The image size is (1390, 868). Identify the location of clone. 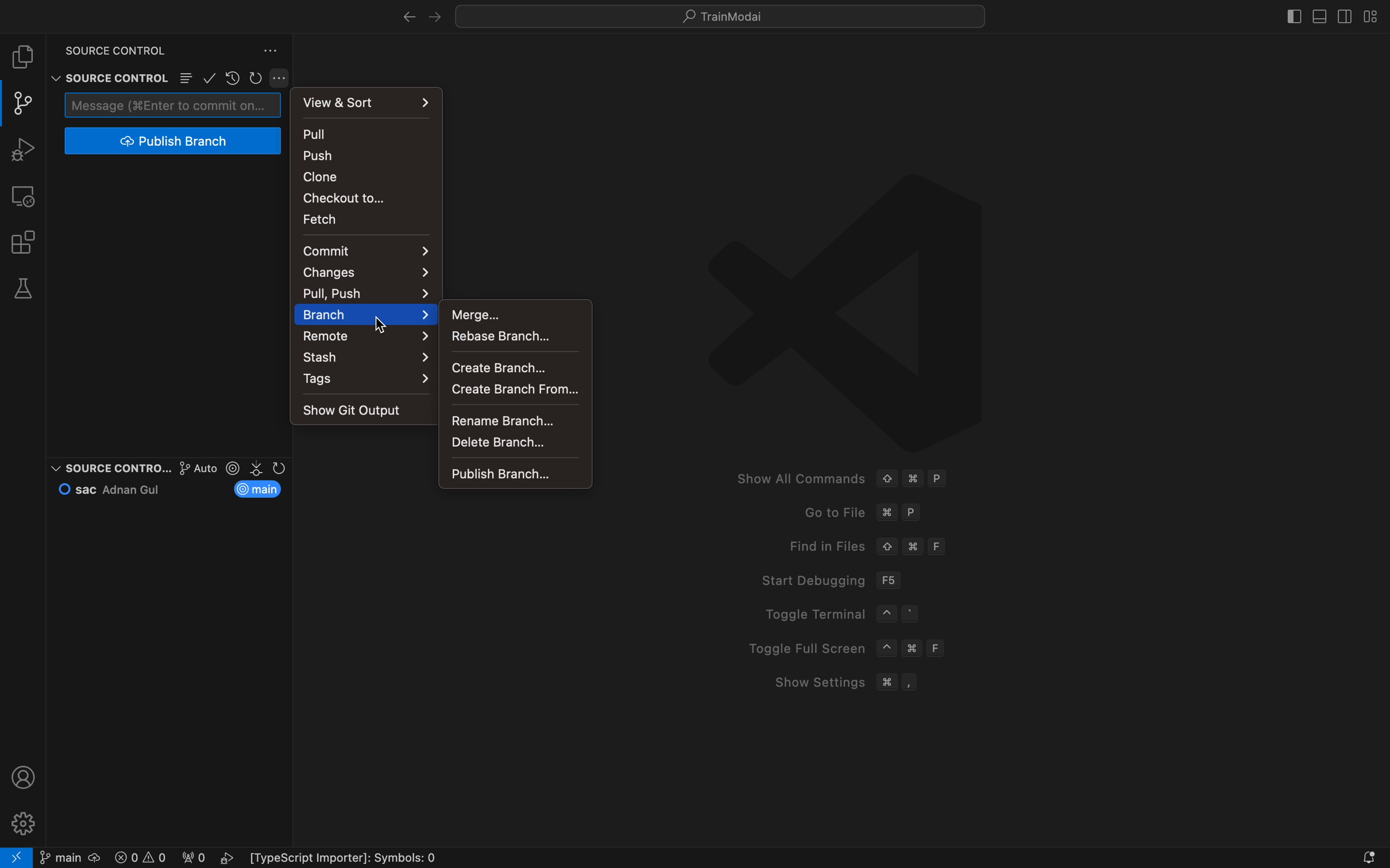
(362, 176).